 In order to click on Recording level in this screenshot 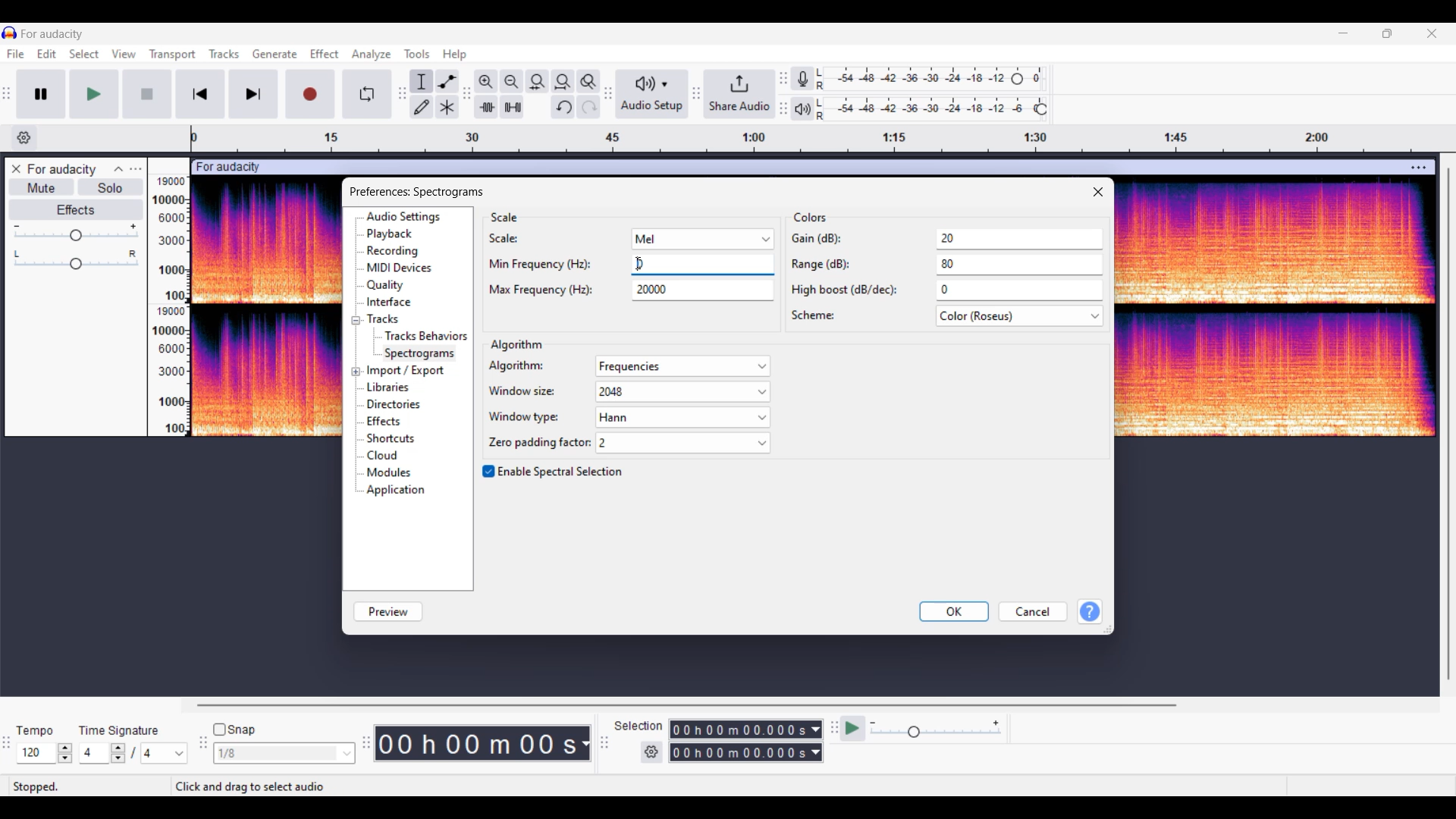, I will do `click(930, 79)`.